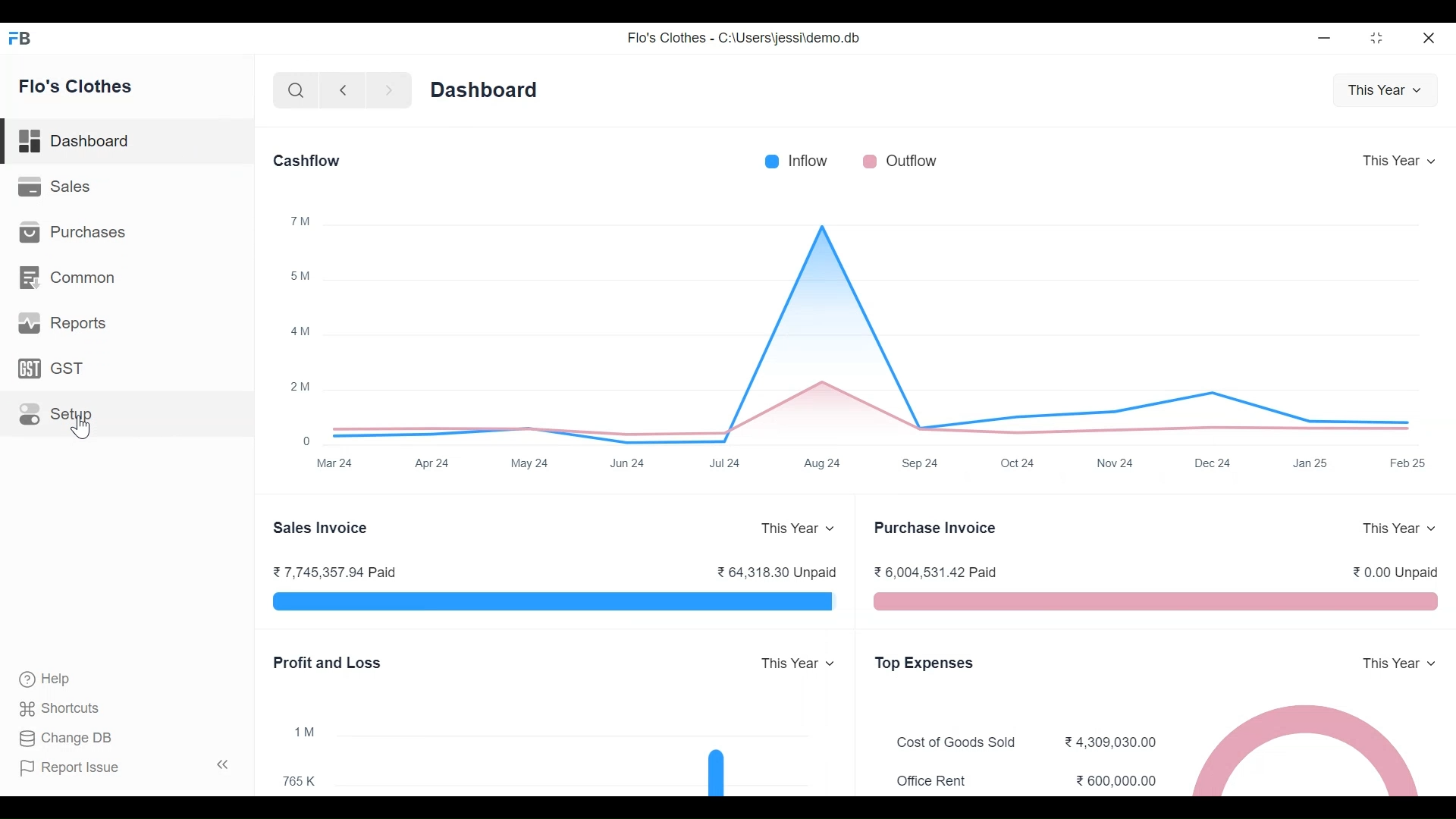 This screenshot has height=819, width=1456. Describe the element at coordinates (1027, 742) in the screenshot. I see `Cost of Goods Sold ₹4,309,030.00` at that location.